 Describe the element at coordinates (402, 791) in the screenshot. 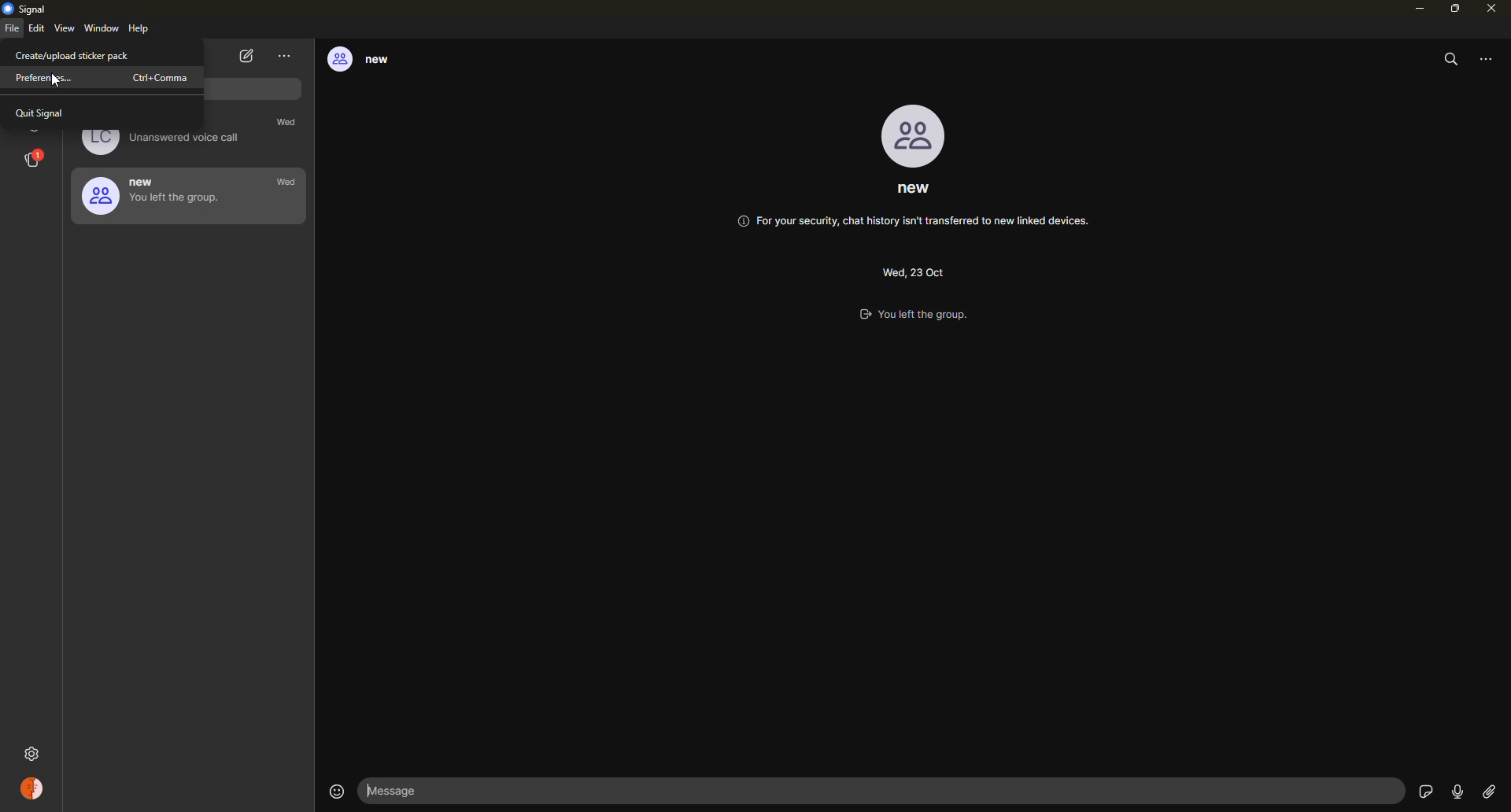

I see `message` at that location.